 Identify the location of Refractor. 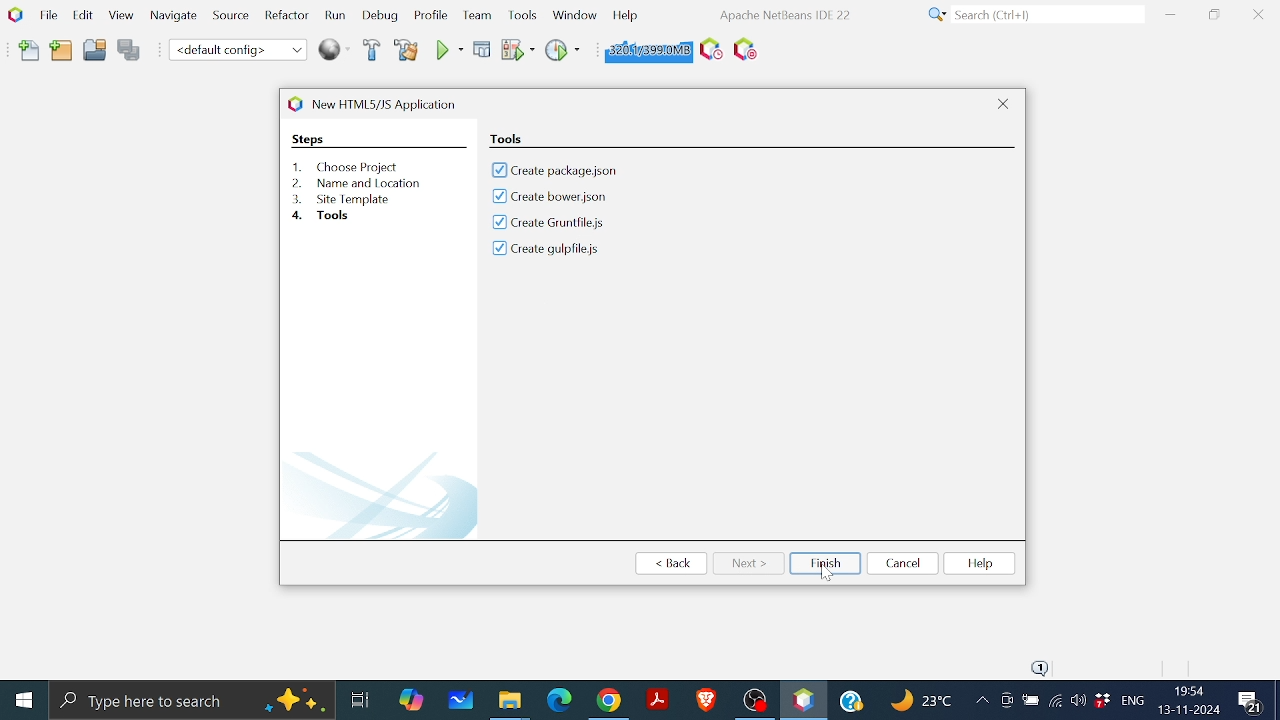
(282, 16).